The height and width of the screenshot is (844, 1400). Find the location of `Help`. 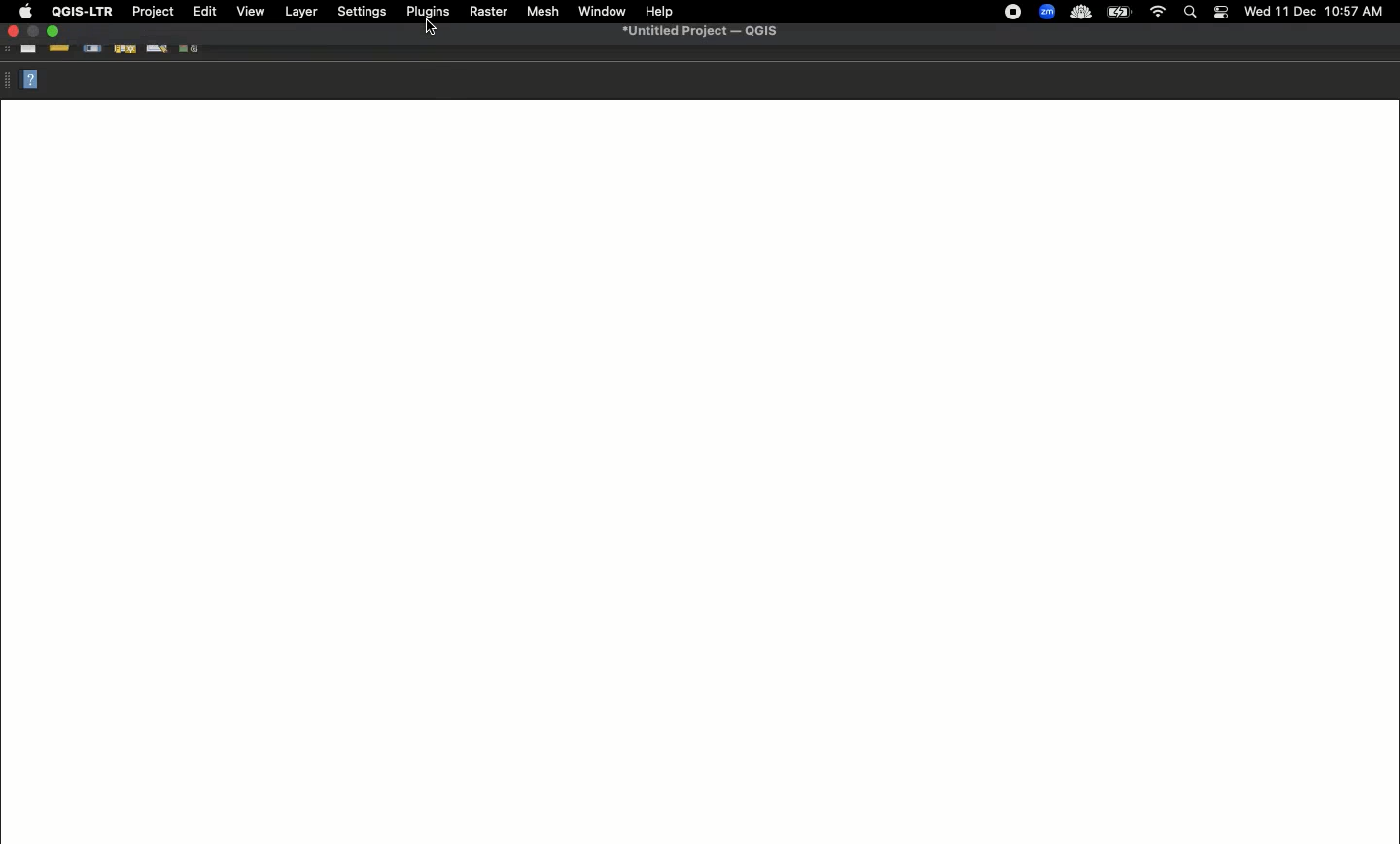

Help is located at coordinates (660, 11).